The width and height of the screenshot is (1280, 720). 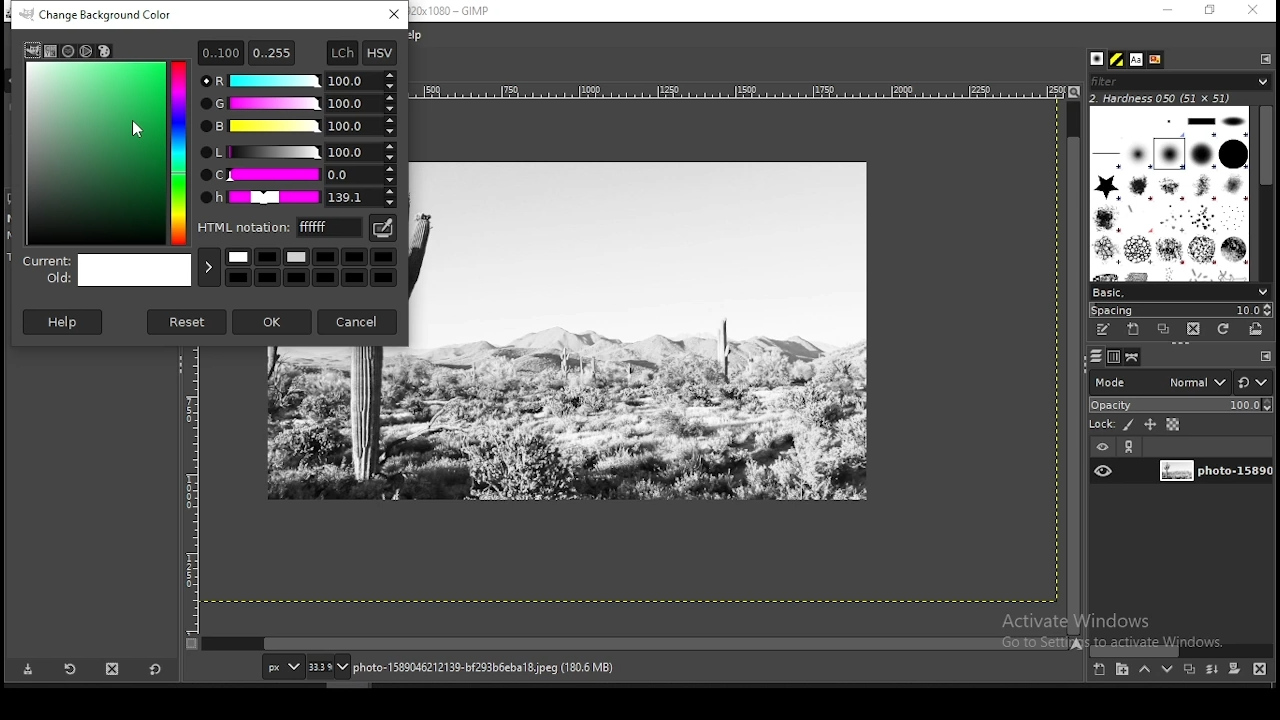 I want to click on mask layer, so click(x=1234, y=670).